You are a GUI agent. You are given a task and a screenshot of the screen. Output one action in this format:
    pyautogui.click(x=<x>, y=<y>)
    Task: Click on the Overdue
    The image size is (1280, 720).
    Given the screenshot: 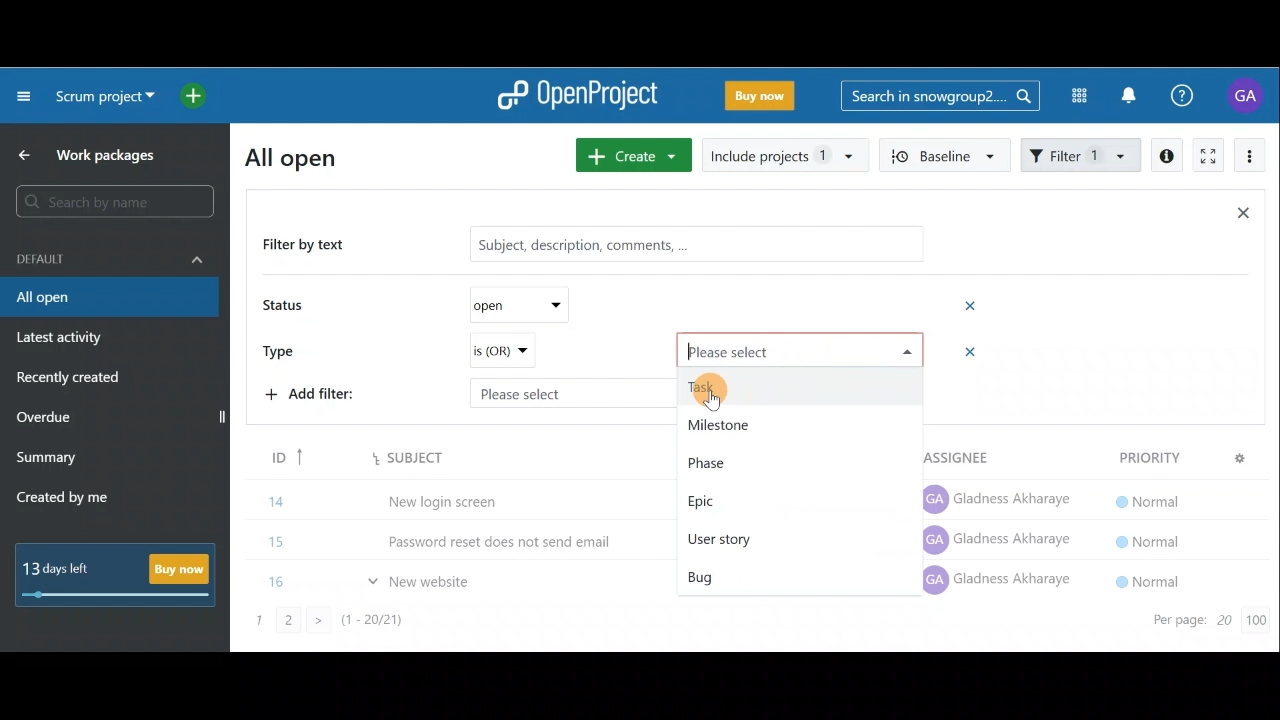 What is the action you would take?
    pyautogui.click(x=46, y=419)
    